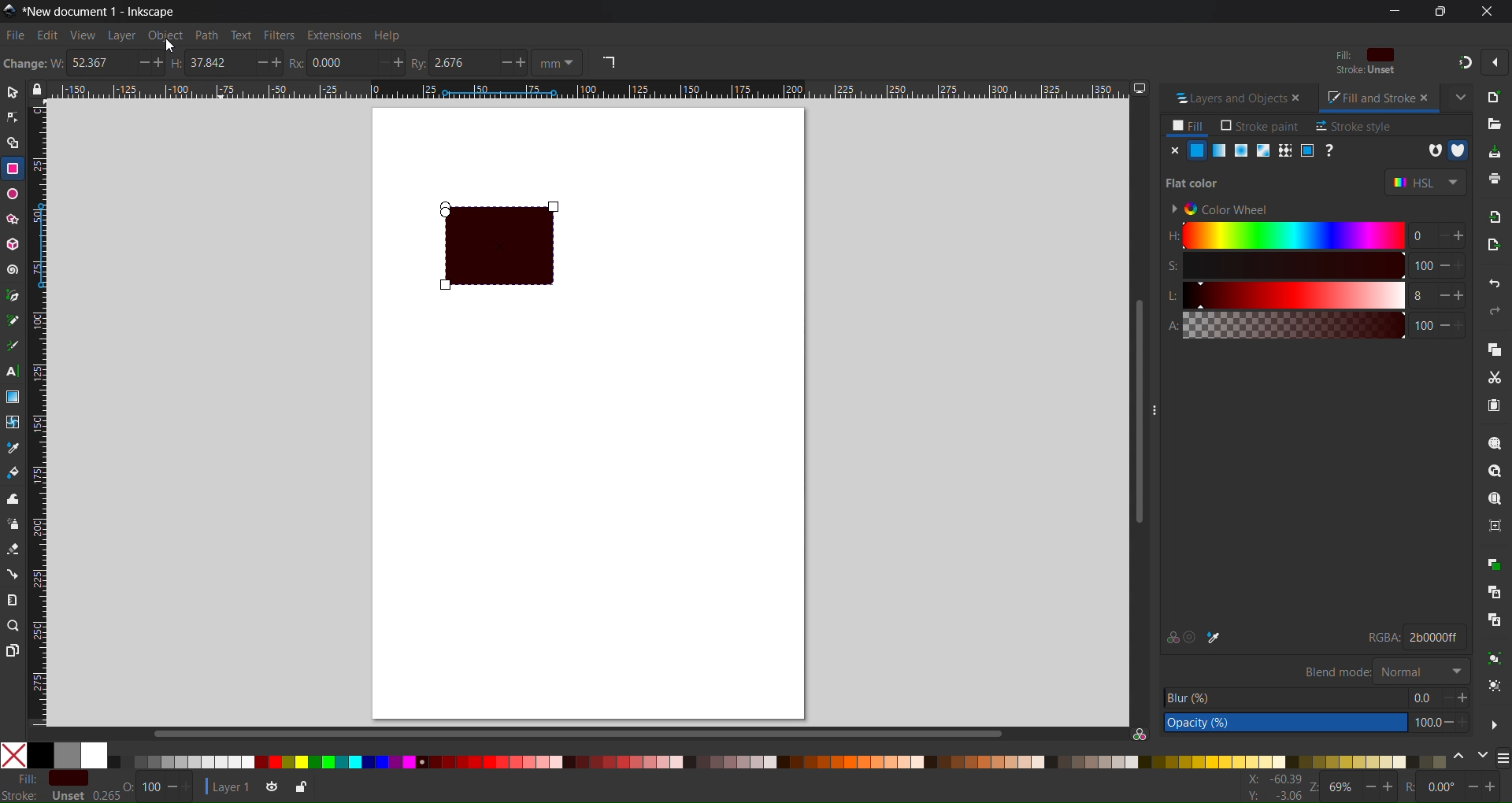  I want to click on Zoom Page, so click(1494, 498).